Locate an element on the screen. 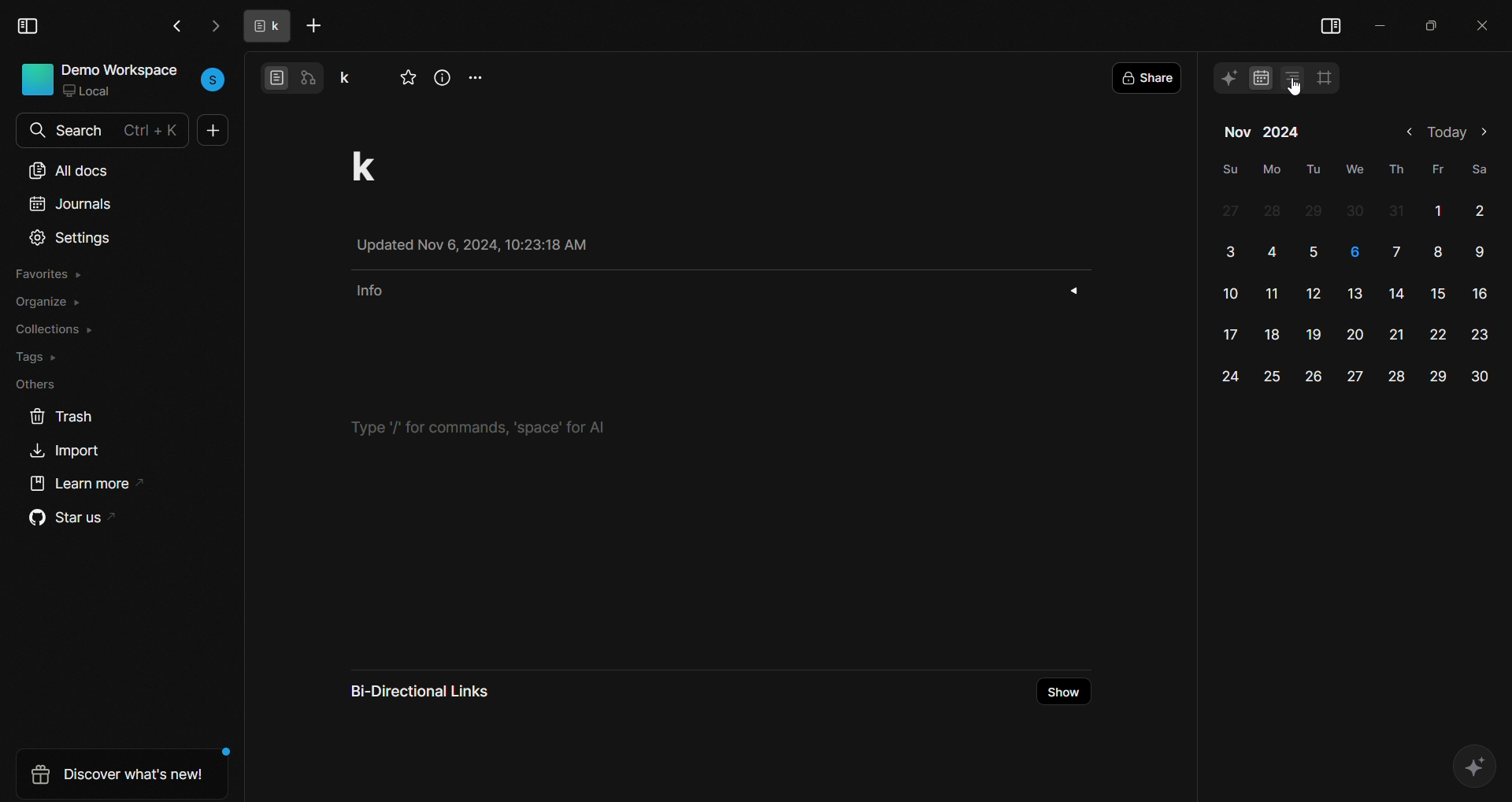 The width and height of the screenshot is (1512, 802). icon is located at coordinates (37, 79).